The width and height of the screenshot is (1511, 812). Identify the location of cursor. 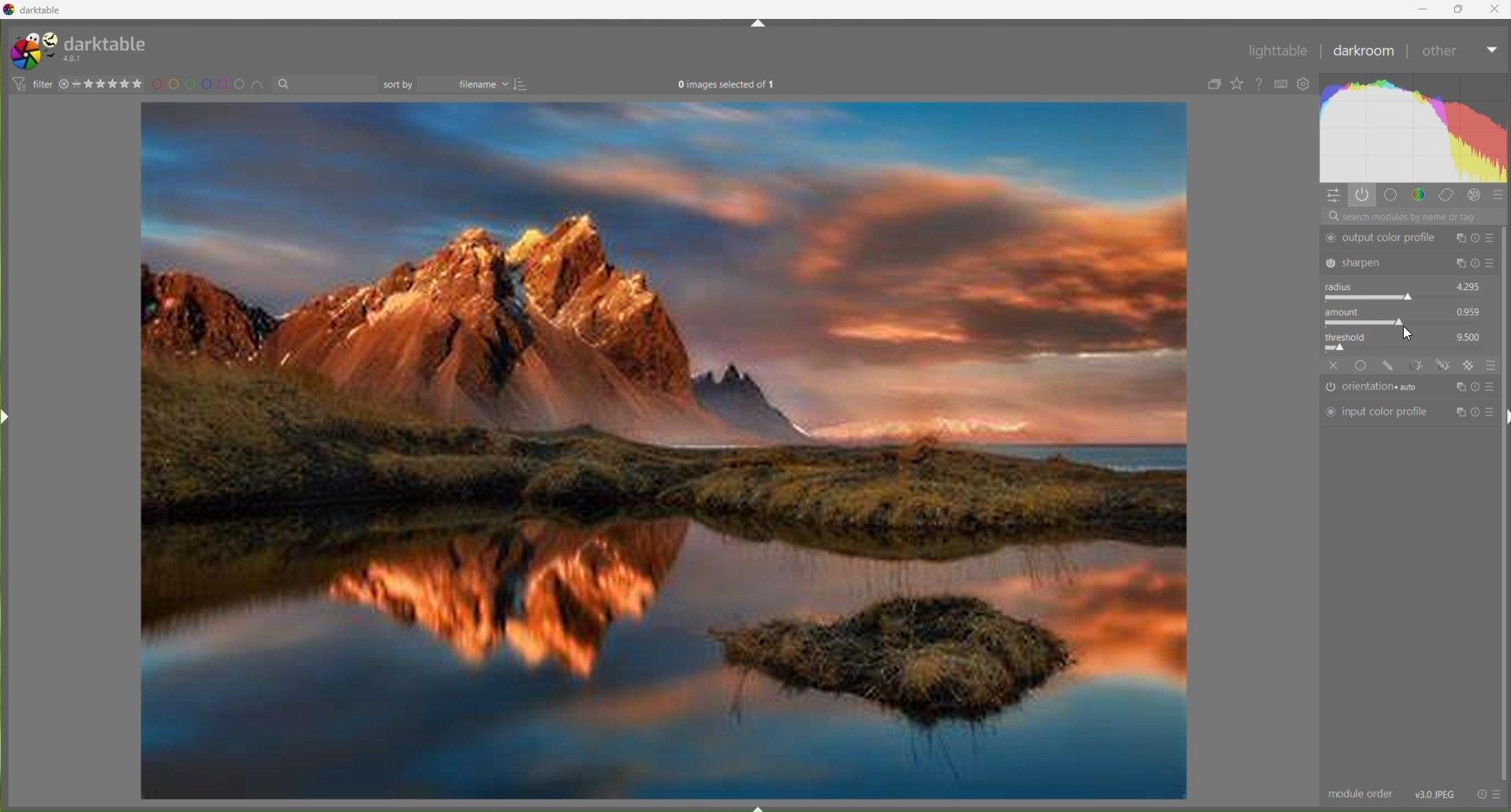
(1406, 335).